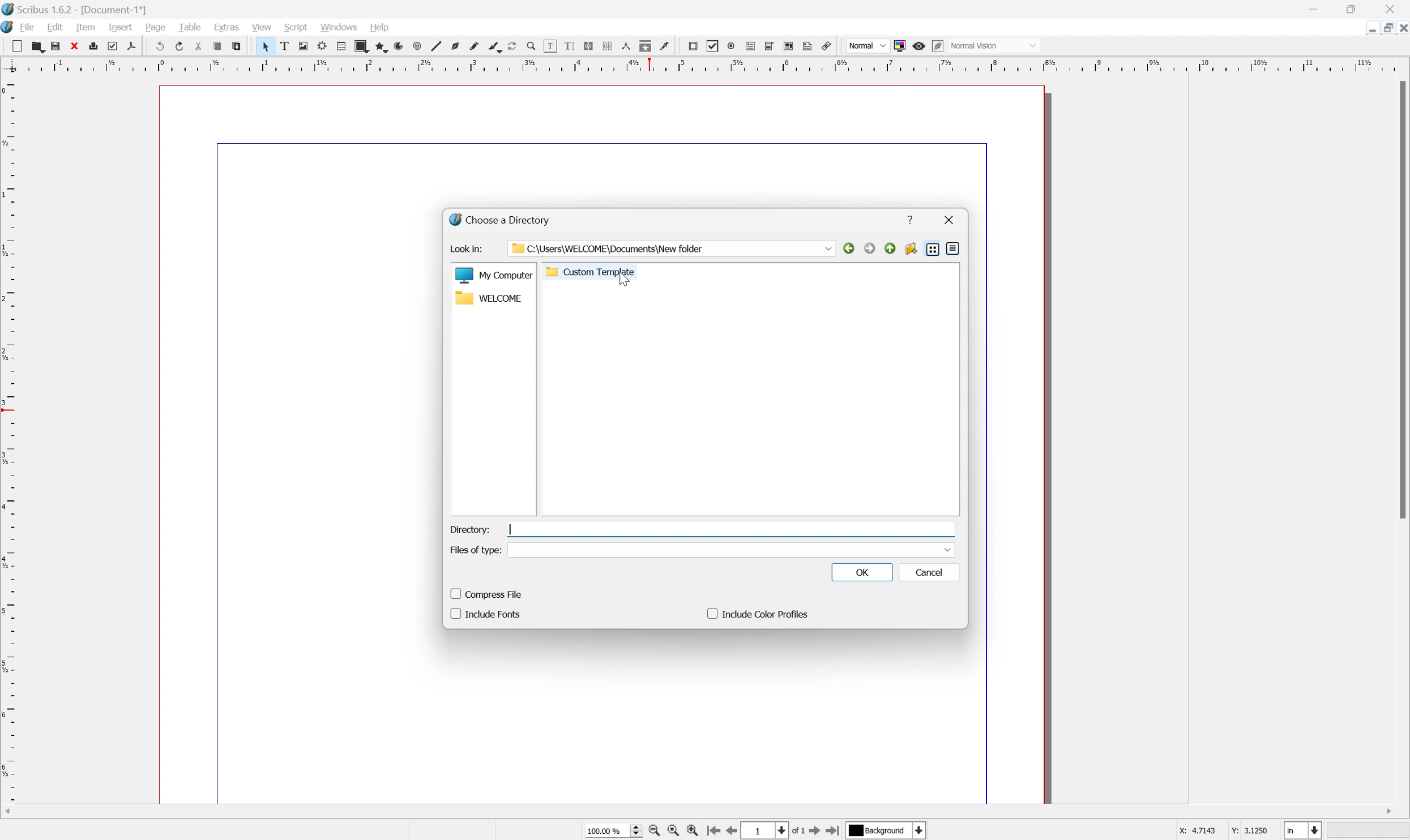 Image resolution: width=1410 pixels, height=840 pixels. What do you see at coordinates (264, 26) in the screenshot?
I see `view` at bounding box center [264, 26].